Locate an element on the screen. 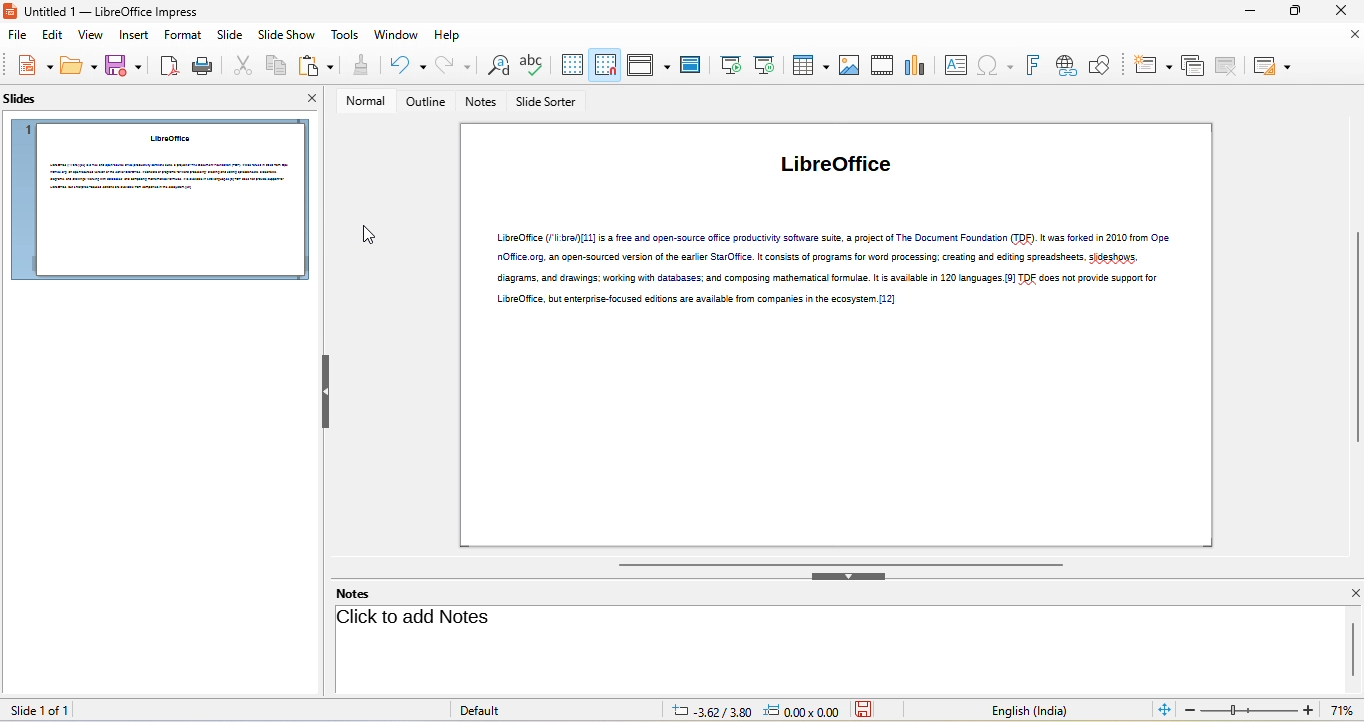 This screenshot has height=722, width=1364. slide sorter is located at coordinates (548, 104).